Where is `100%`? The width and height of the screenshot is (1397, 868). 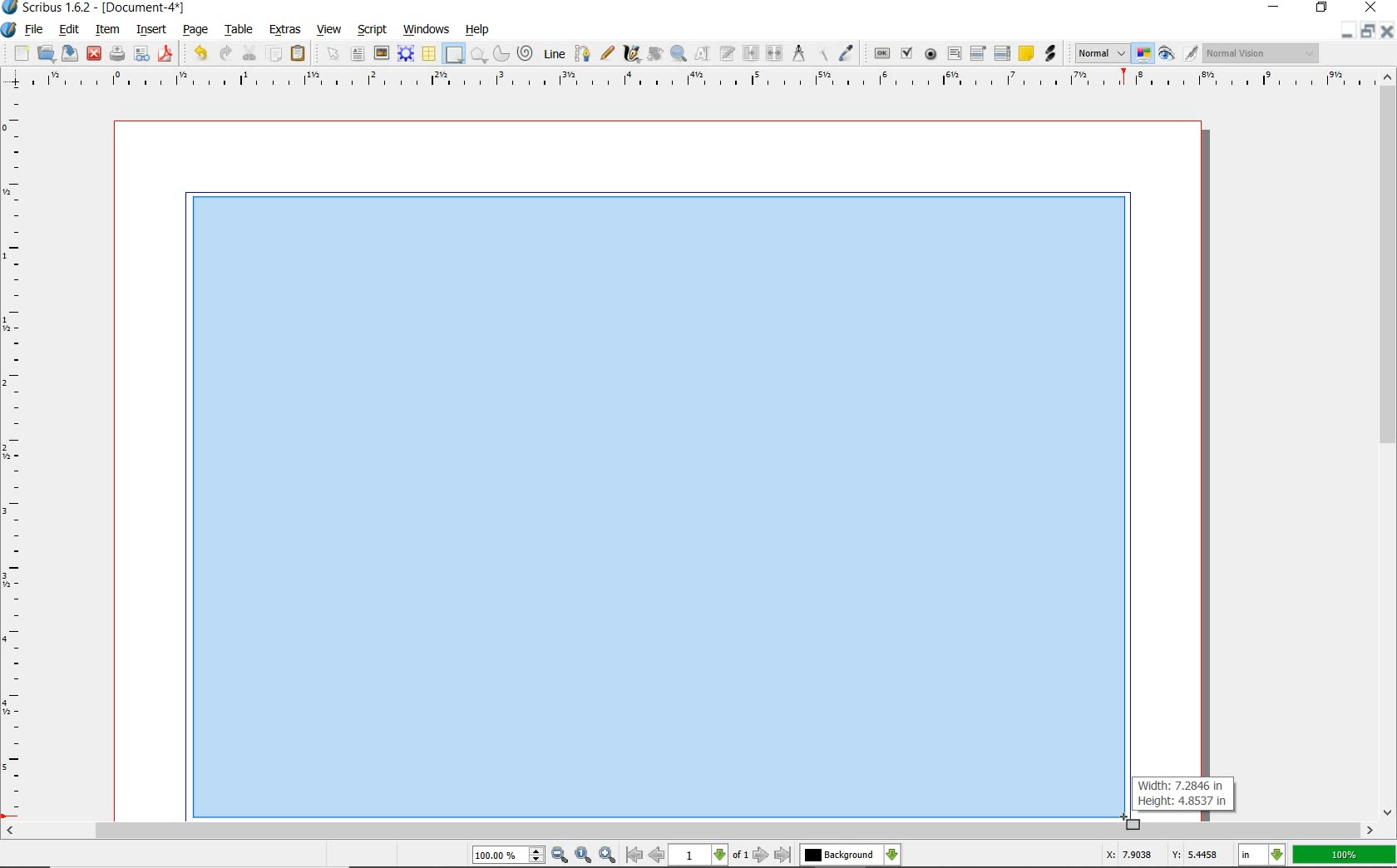 100% is located at coordinates (1344, 855).